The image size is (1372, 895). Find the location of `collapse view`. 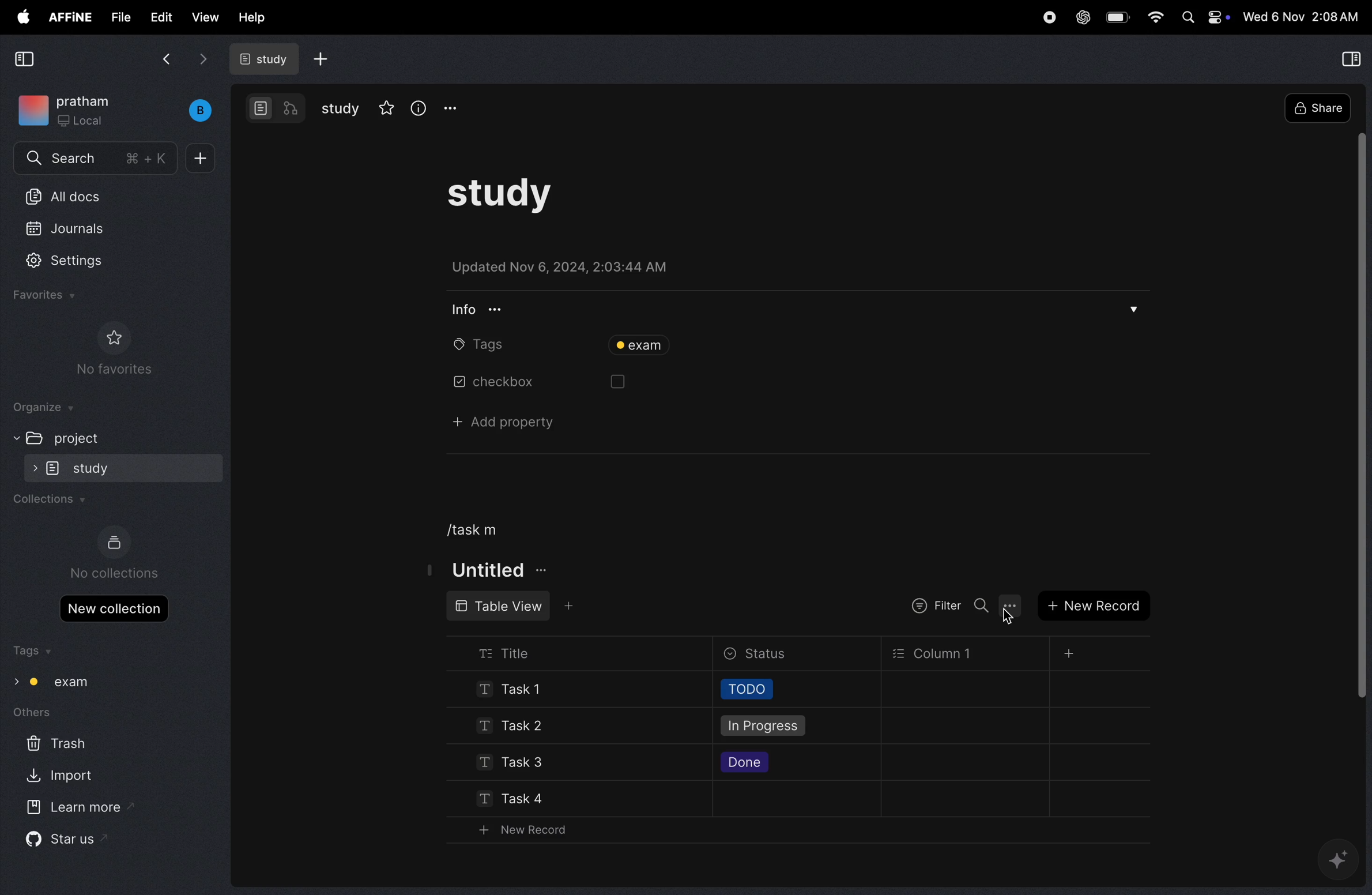

collapse view is located at coordinates (1351, 57).